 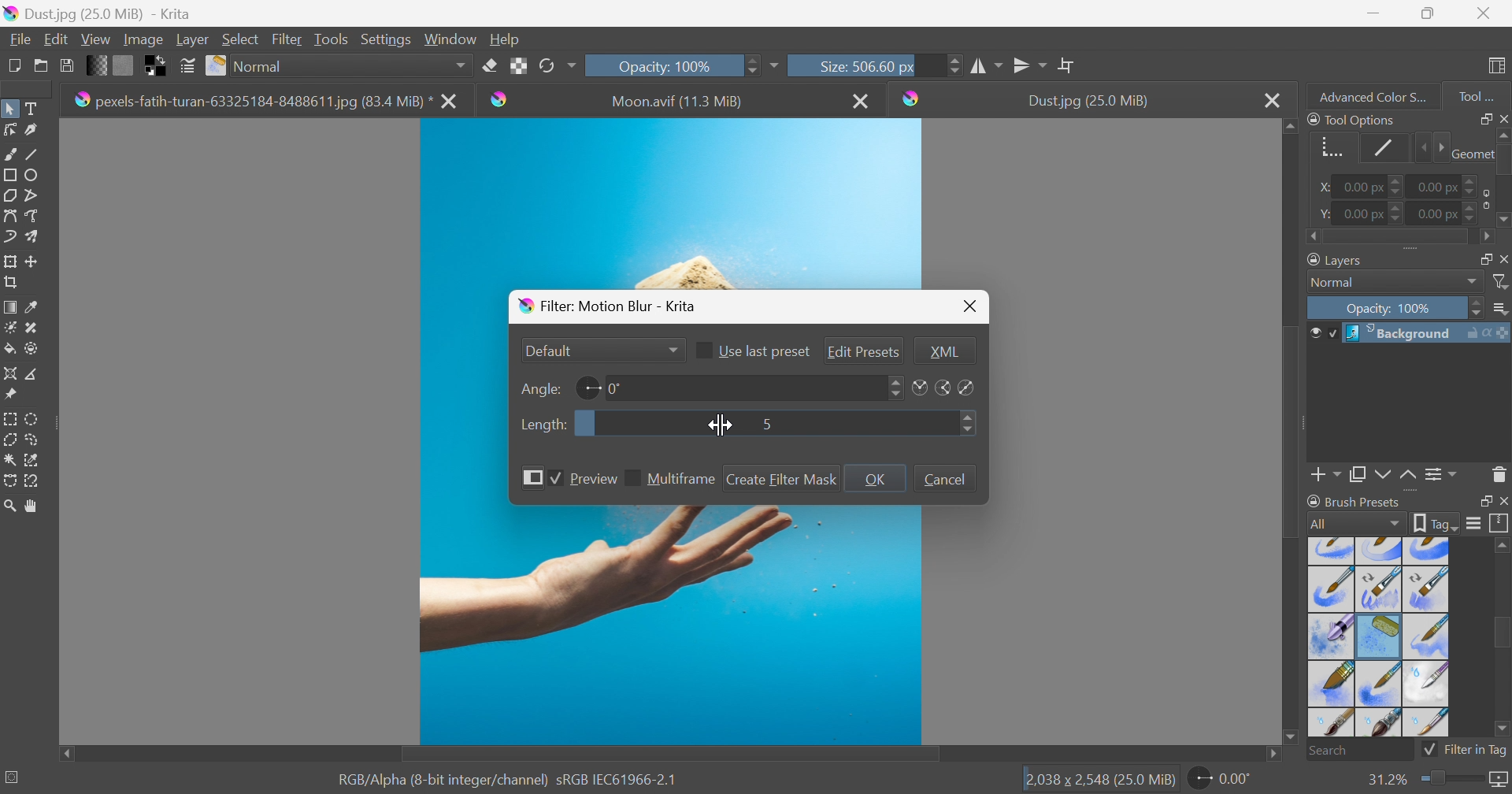 What do you see at coordinates (352, 65) in the screenshot?
I see `Normal` at bounding box center [352, 65].